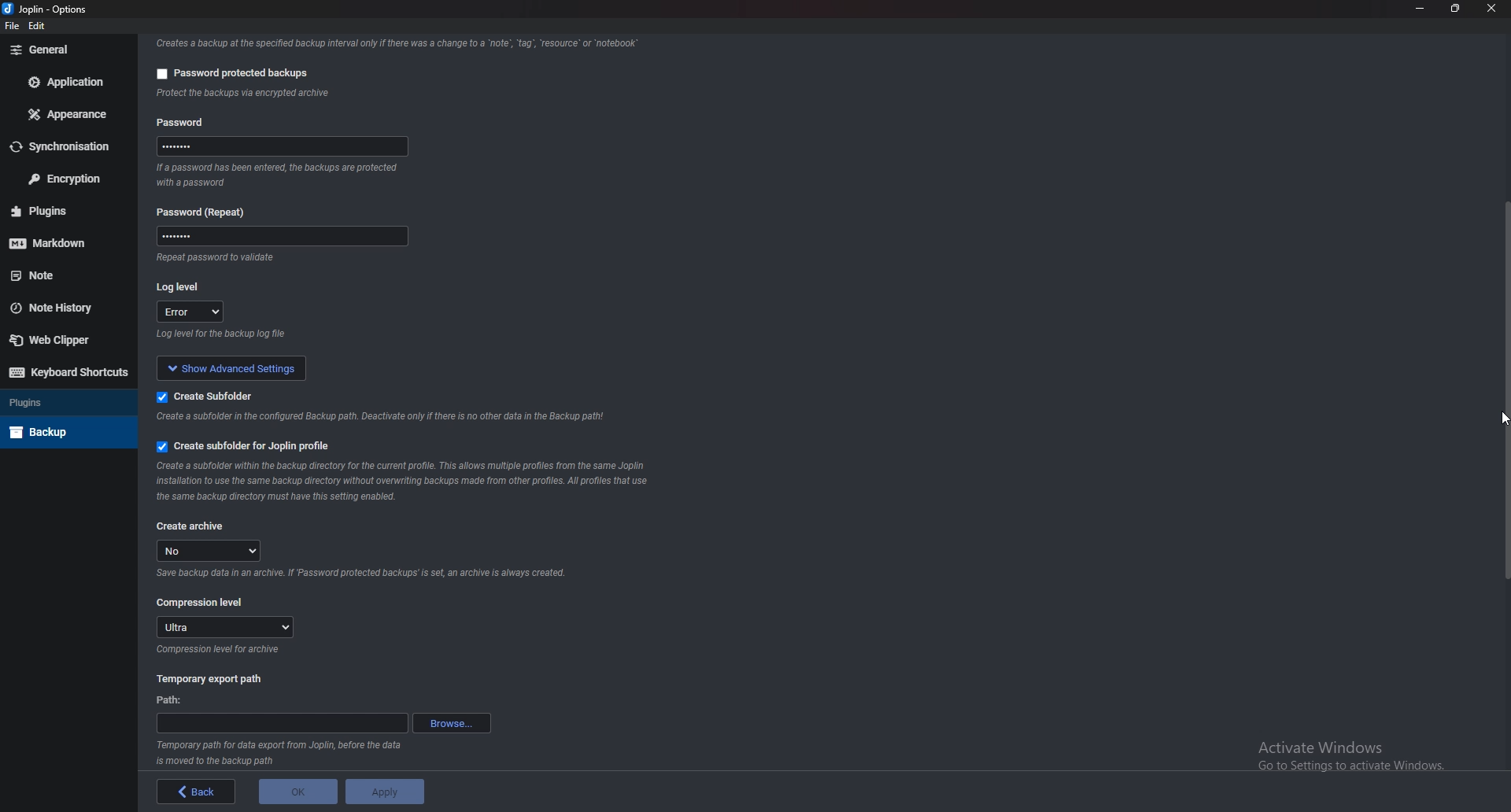  What do you see at coordinates (28, 10) in the screenshot?
I see `joplin` at bounding box center [28, 10].